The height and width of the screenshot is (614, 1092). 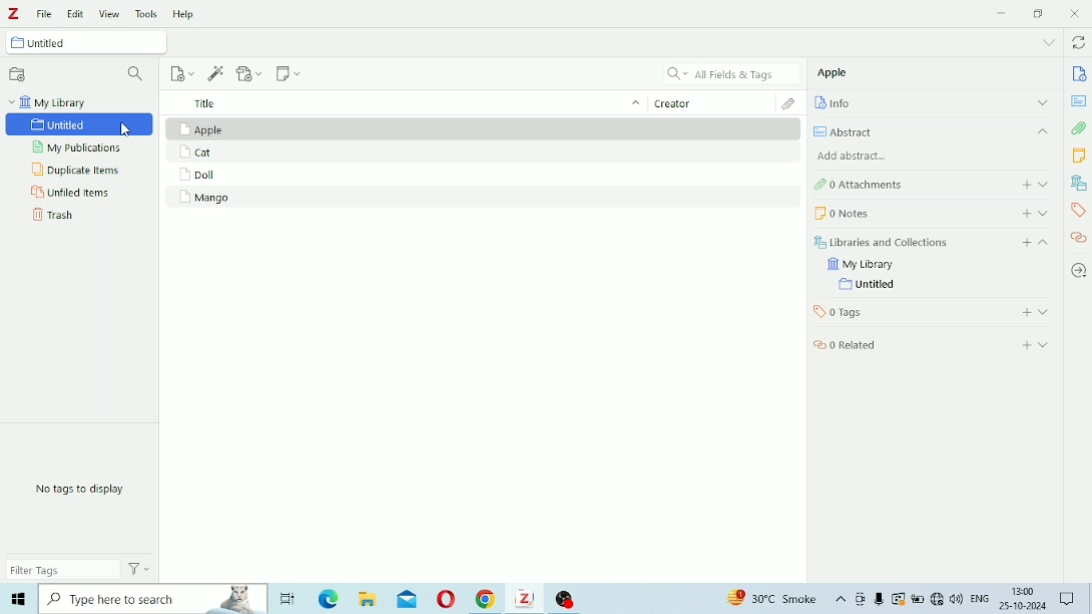 What do you see at coordinates (730, 73) in the screenshot?
I see `All Fields & Tags` at bounding box center [730, 73].